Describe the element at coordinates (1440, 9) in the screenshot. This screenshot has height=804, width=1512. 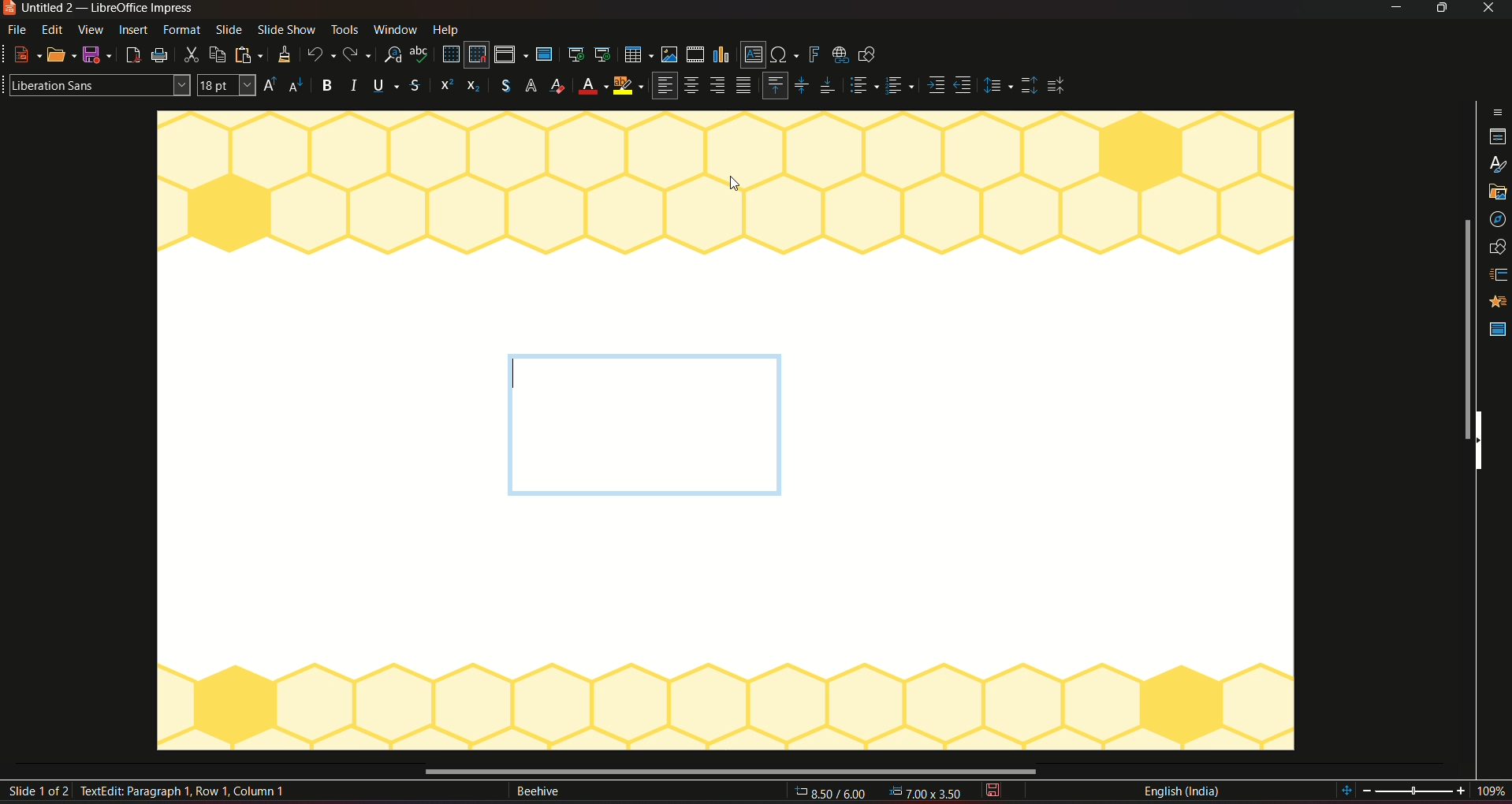
I see `Minimize/maximize` at that location.